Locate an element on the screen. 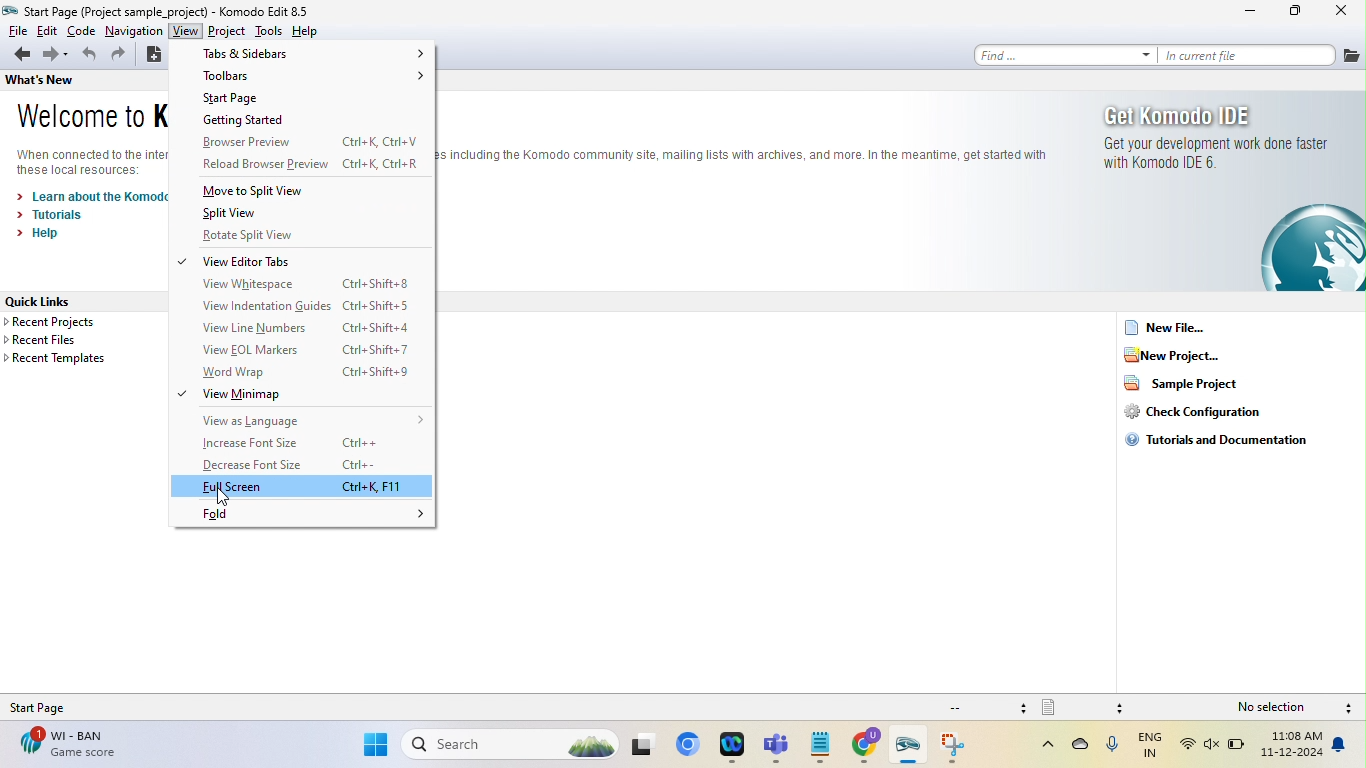 Image resolution: width=1366 pixels, height=768 pixels. tutorials is located at coordinates (59, 214).